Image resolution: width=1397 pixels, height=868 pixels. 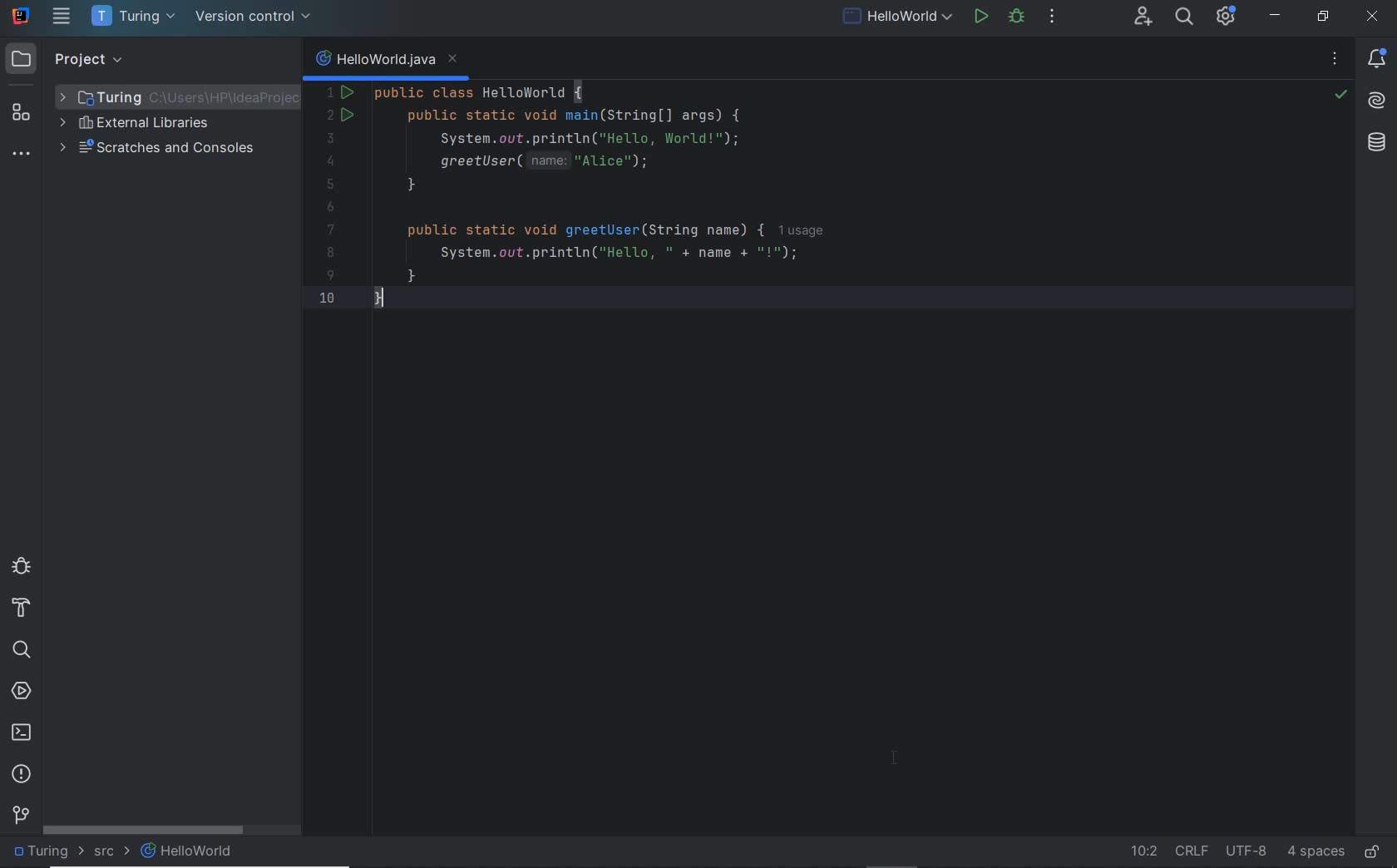 I want to click on main menu, so click(x=62, y=16).